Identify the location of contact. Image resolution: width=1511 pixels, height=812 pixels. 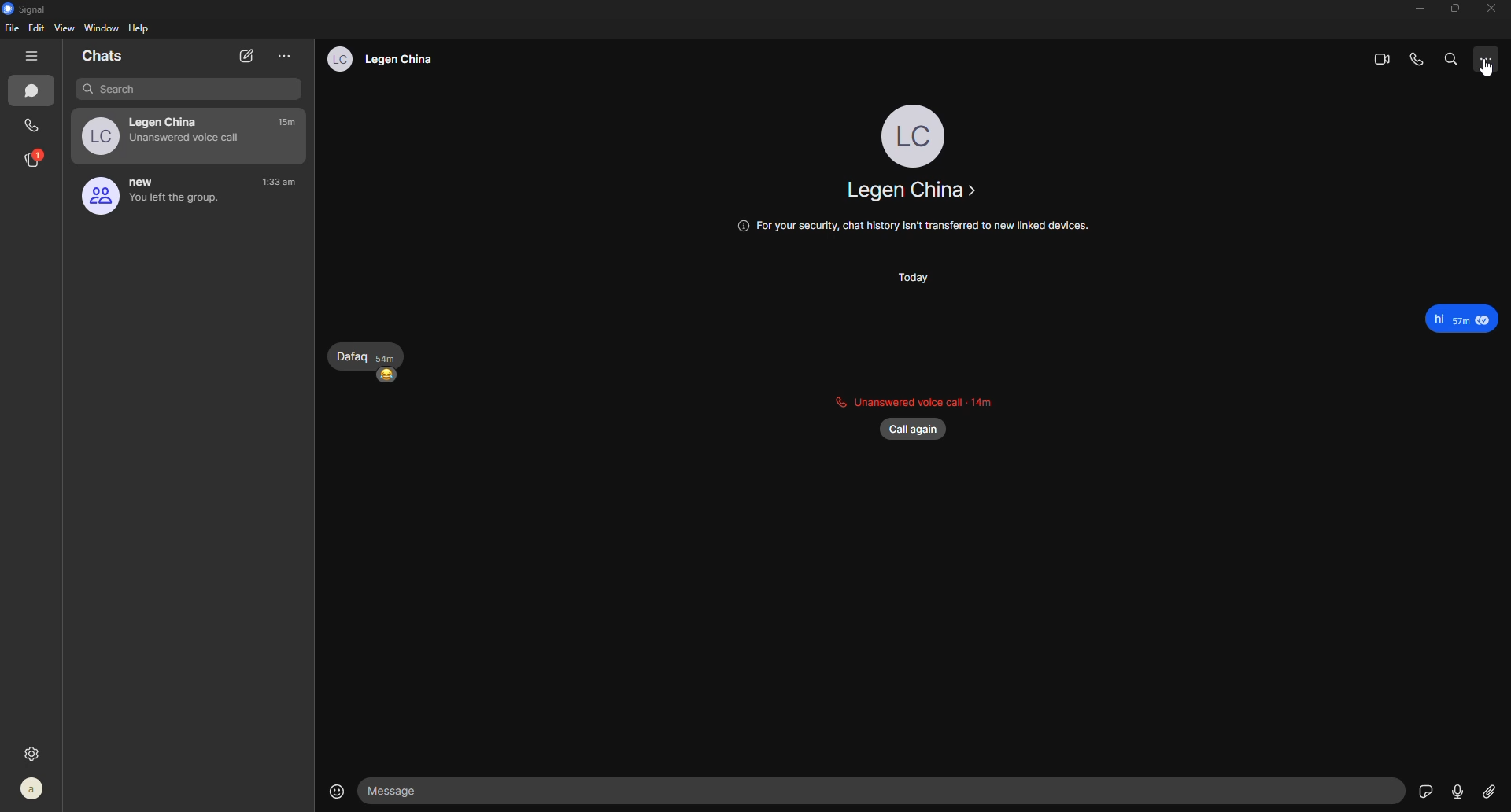
(912, 194).